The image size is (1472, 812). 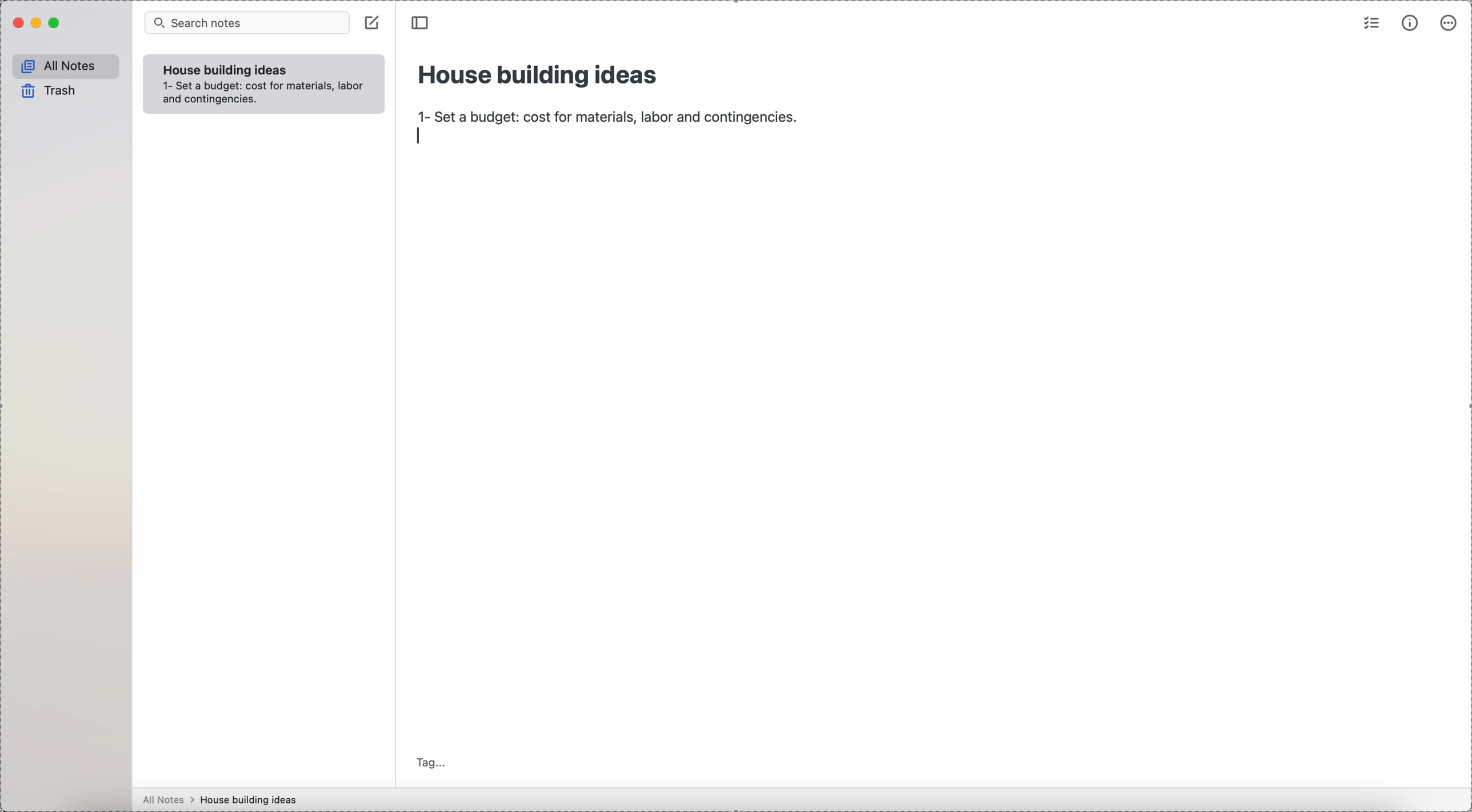 What do you see at coordinates (433, 762) in the screenshot?
I see `tag` at bounding box center [433, 762].